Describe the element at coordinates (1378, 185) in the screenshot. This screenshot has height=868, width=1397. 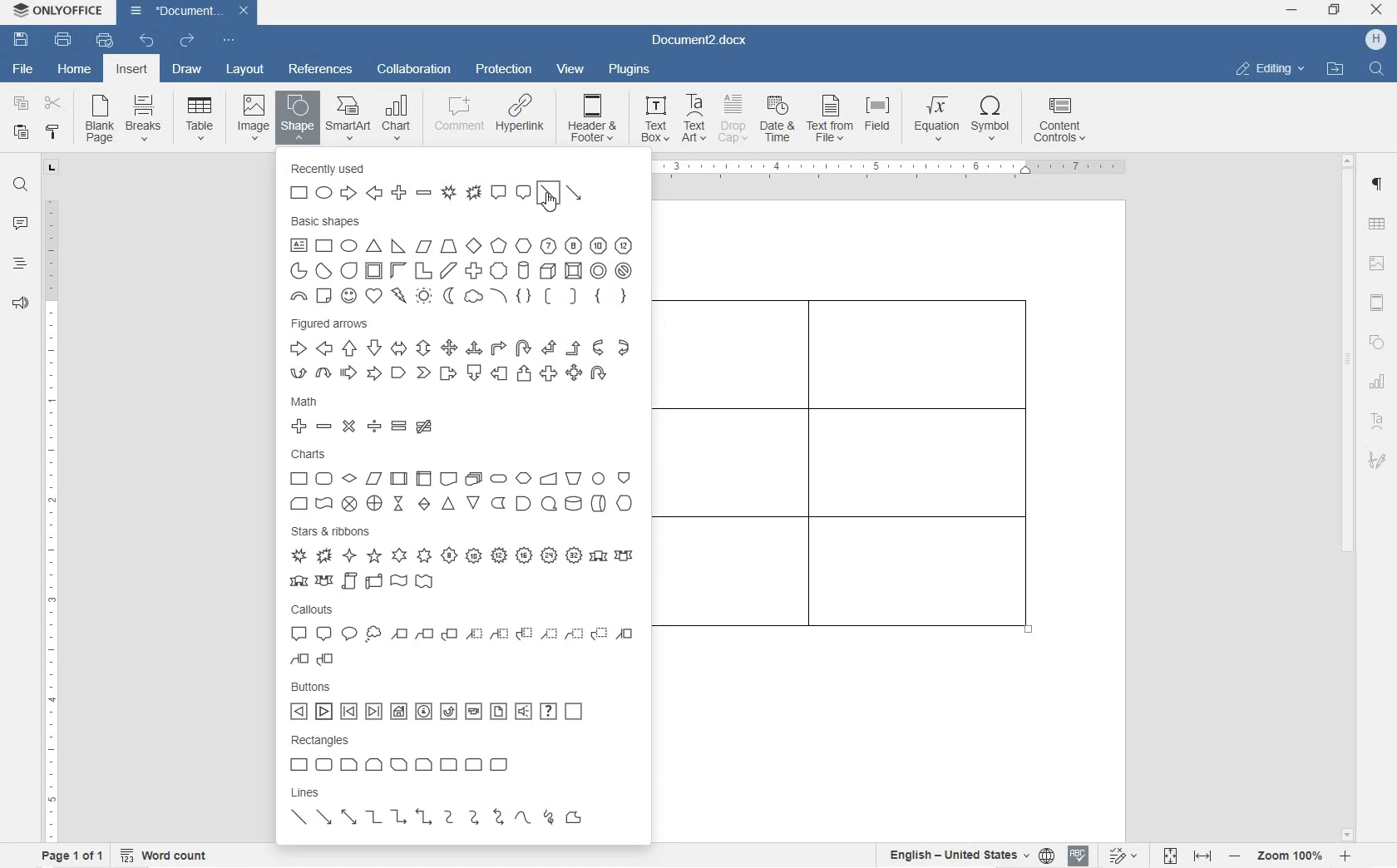
I see `paragraph settings` at that location.